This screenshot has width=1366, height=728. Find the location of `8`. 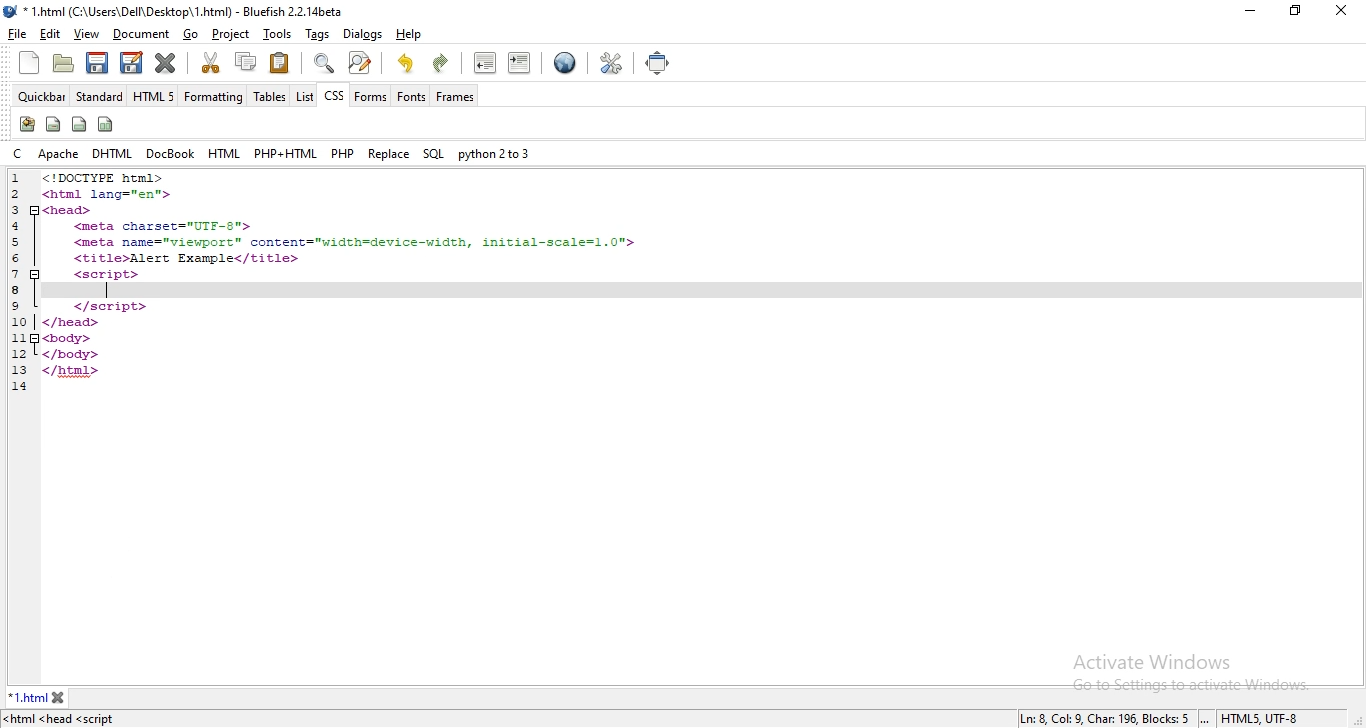

8 is located at coordinates (15, 290).